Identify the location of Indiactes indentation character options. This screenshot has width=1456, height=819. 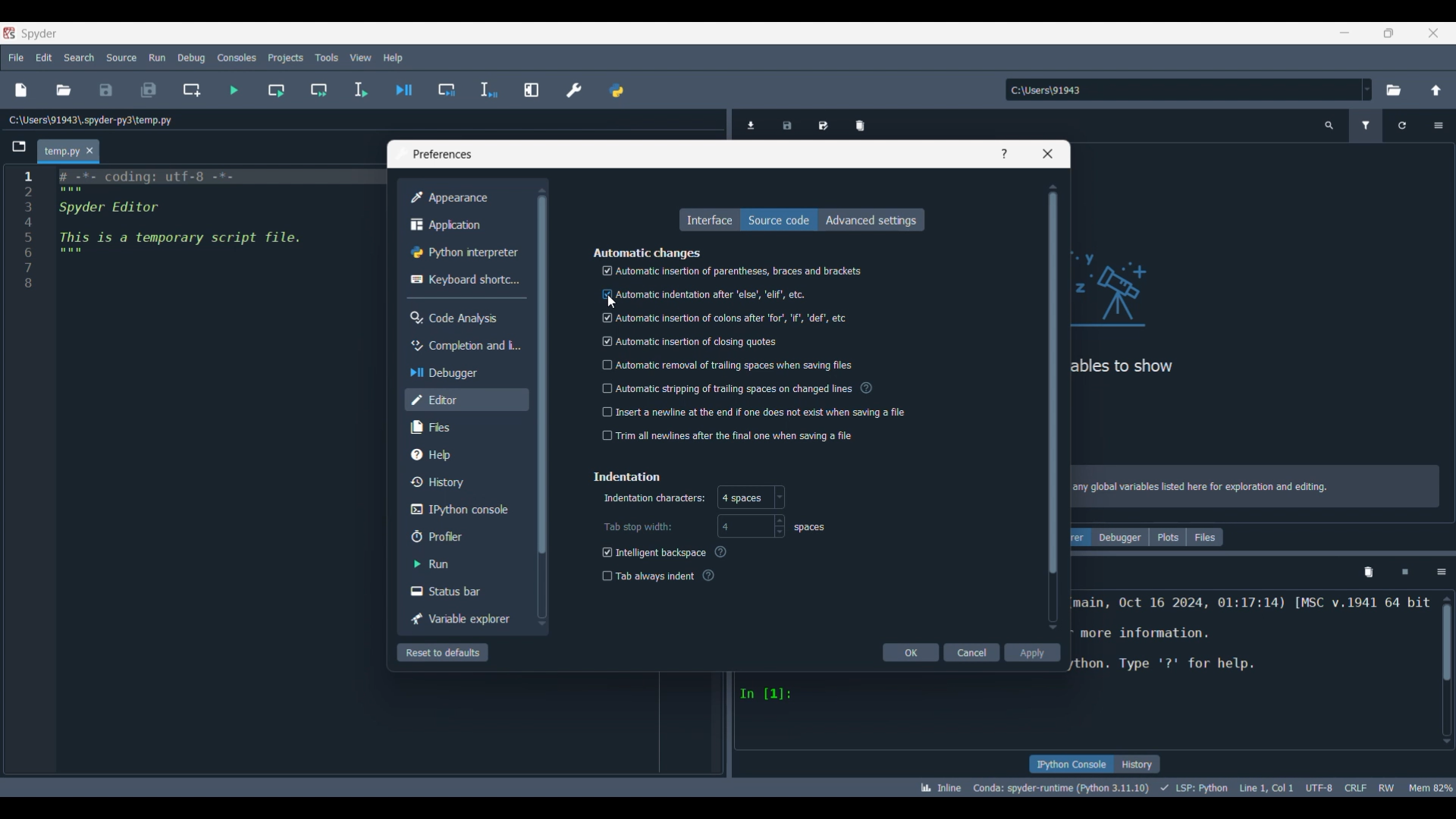
(654, 498).